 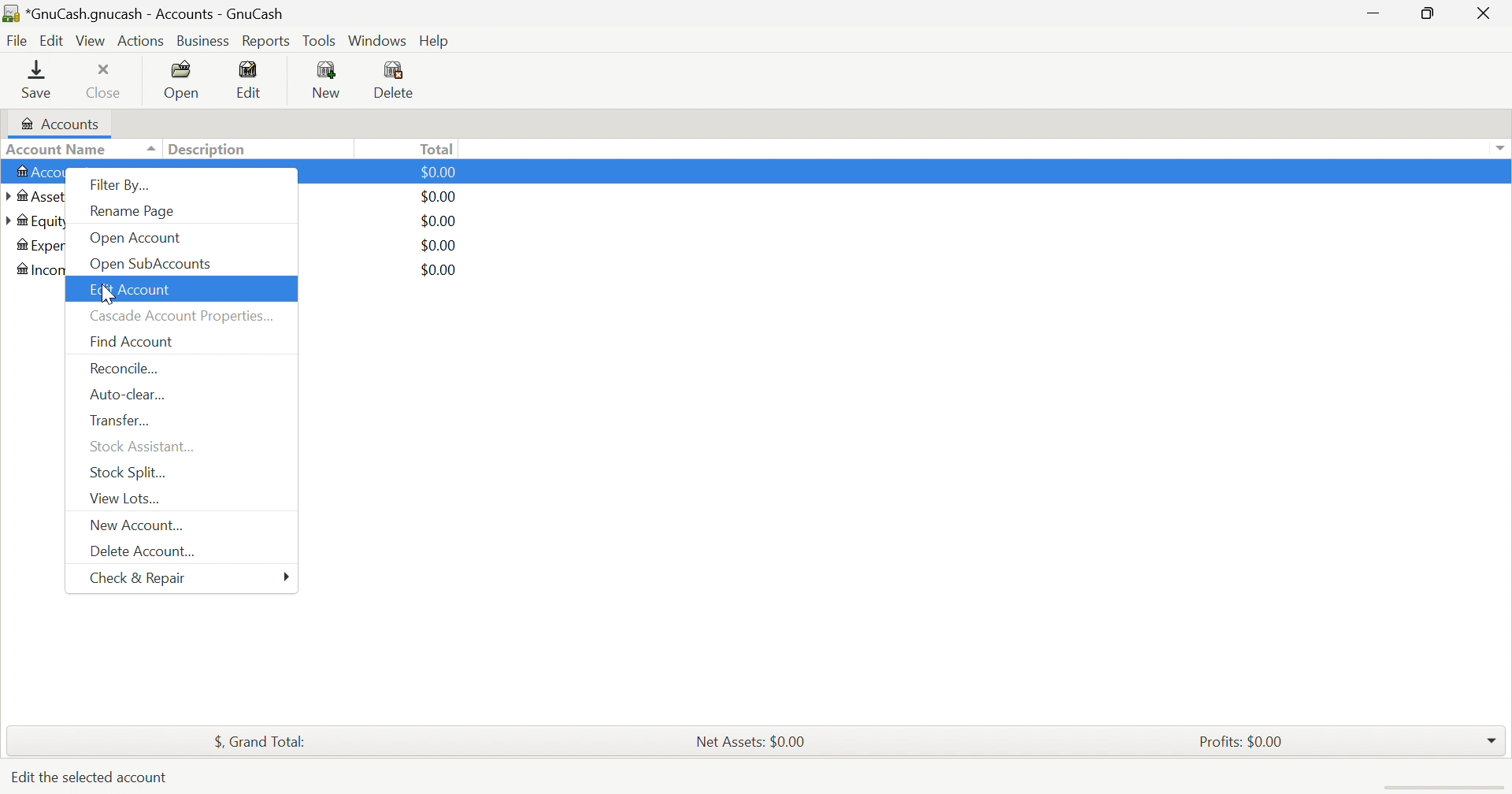 What do you see at coordinates (108, 293) in the screenshot?
I see `cursor` at bounding box center [108, 293].